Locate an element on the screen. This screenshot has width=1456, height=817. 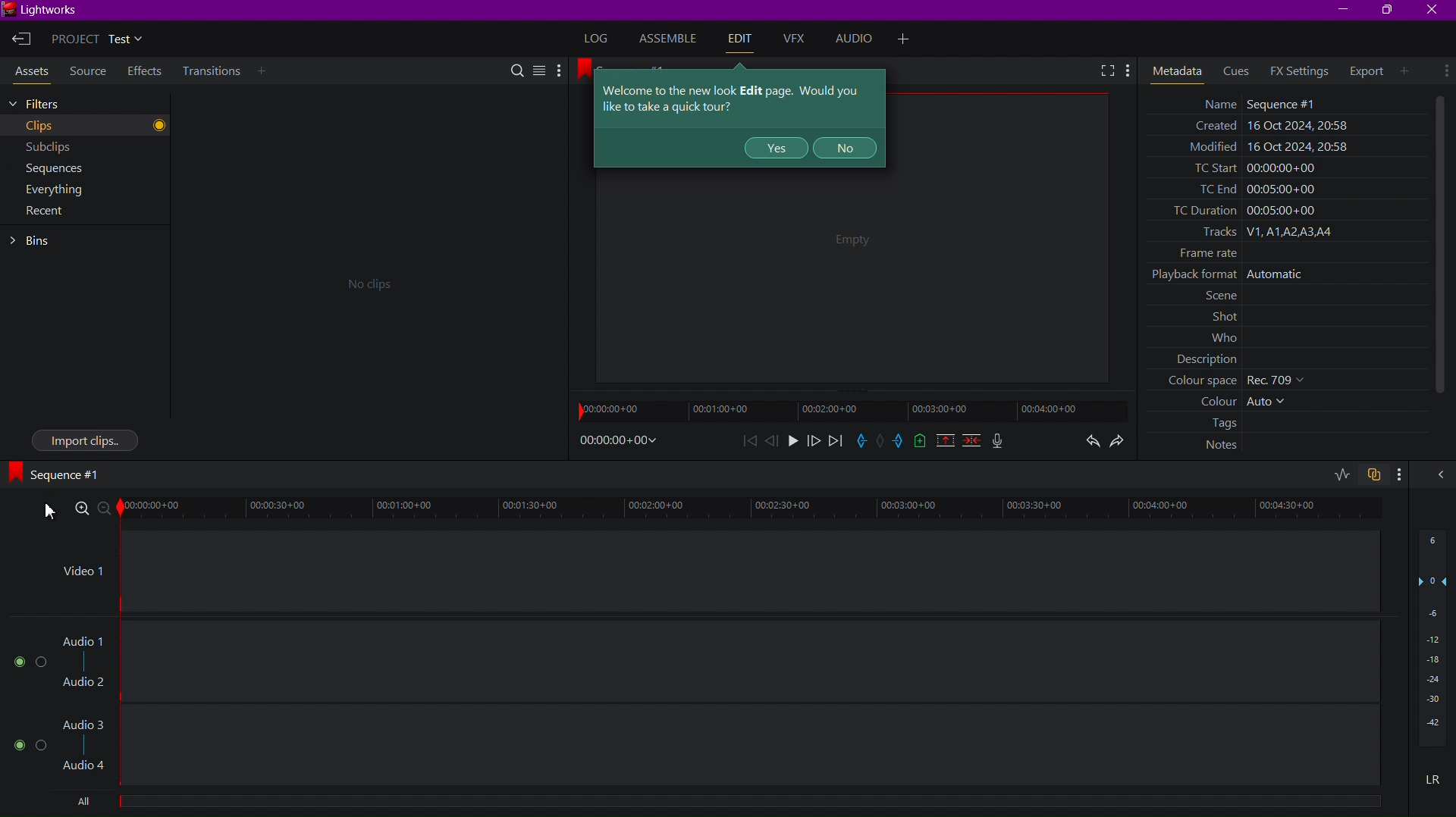
Audio is located at coordinates (853, 39).